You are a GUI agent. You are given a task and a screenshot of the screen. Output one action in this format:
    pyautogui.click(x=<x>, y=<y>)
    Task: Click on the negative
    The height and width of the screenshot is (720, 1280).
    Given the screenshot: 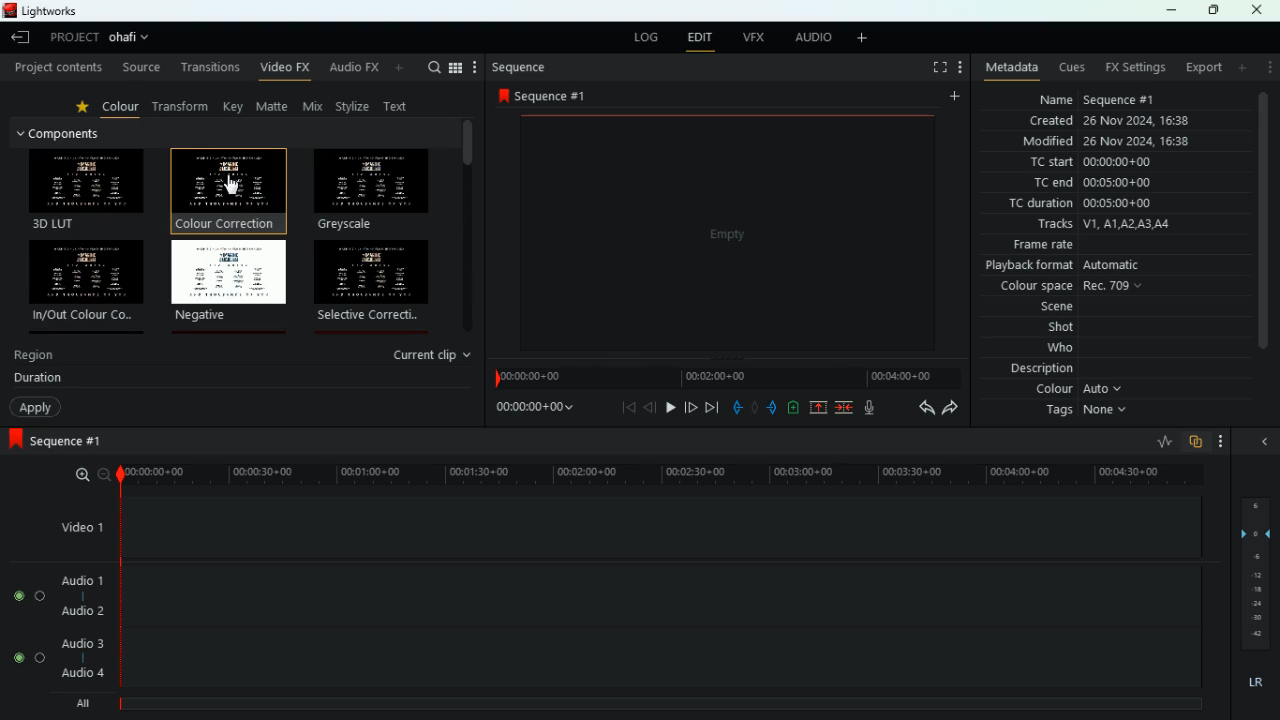 What is the action you would take?
    pyautogui.click(x=229, y=282)
    